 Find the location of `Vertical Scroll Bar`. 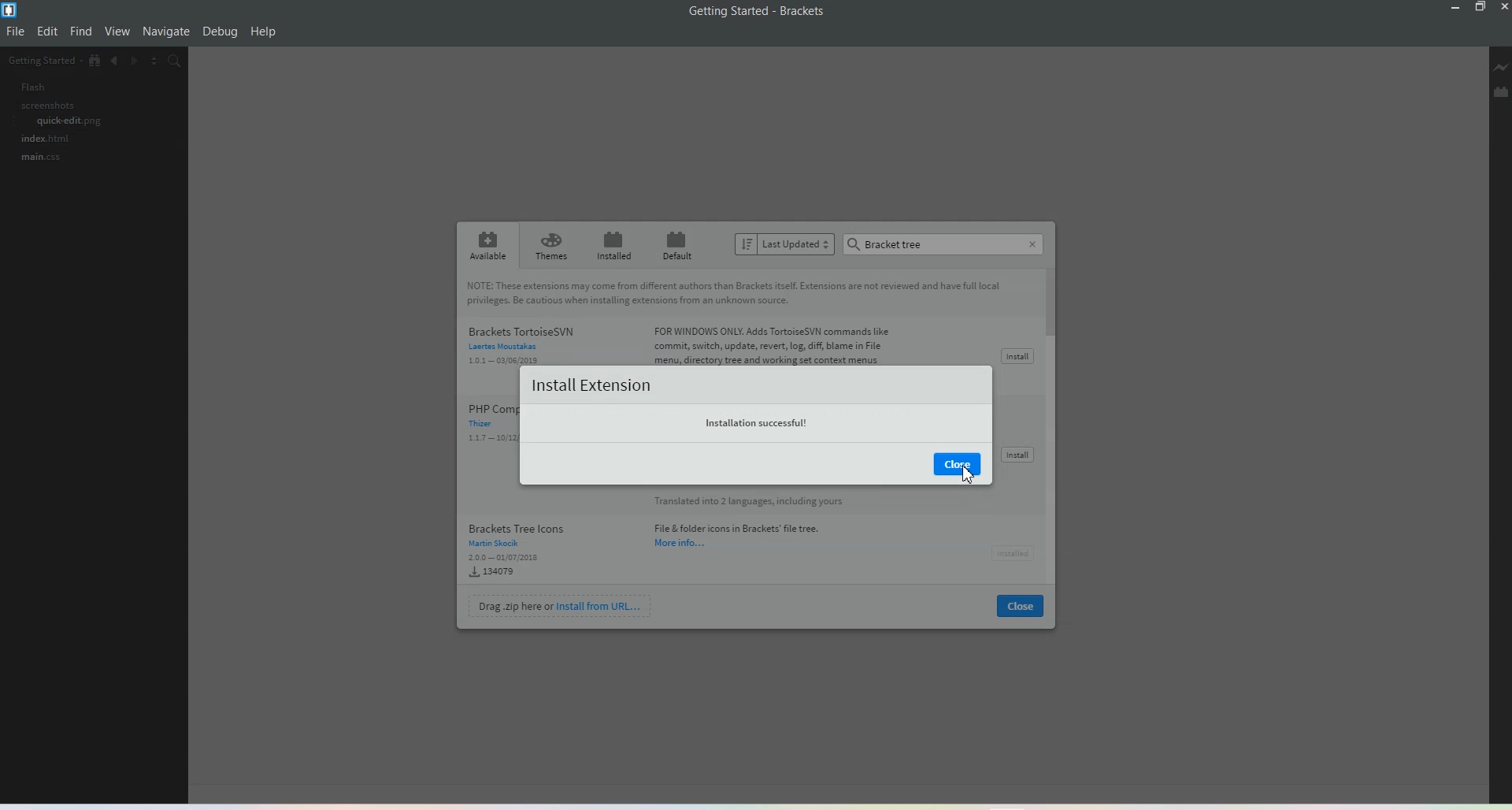

Vertical Scroll Bar is located at coordinates (1054, 429).